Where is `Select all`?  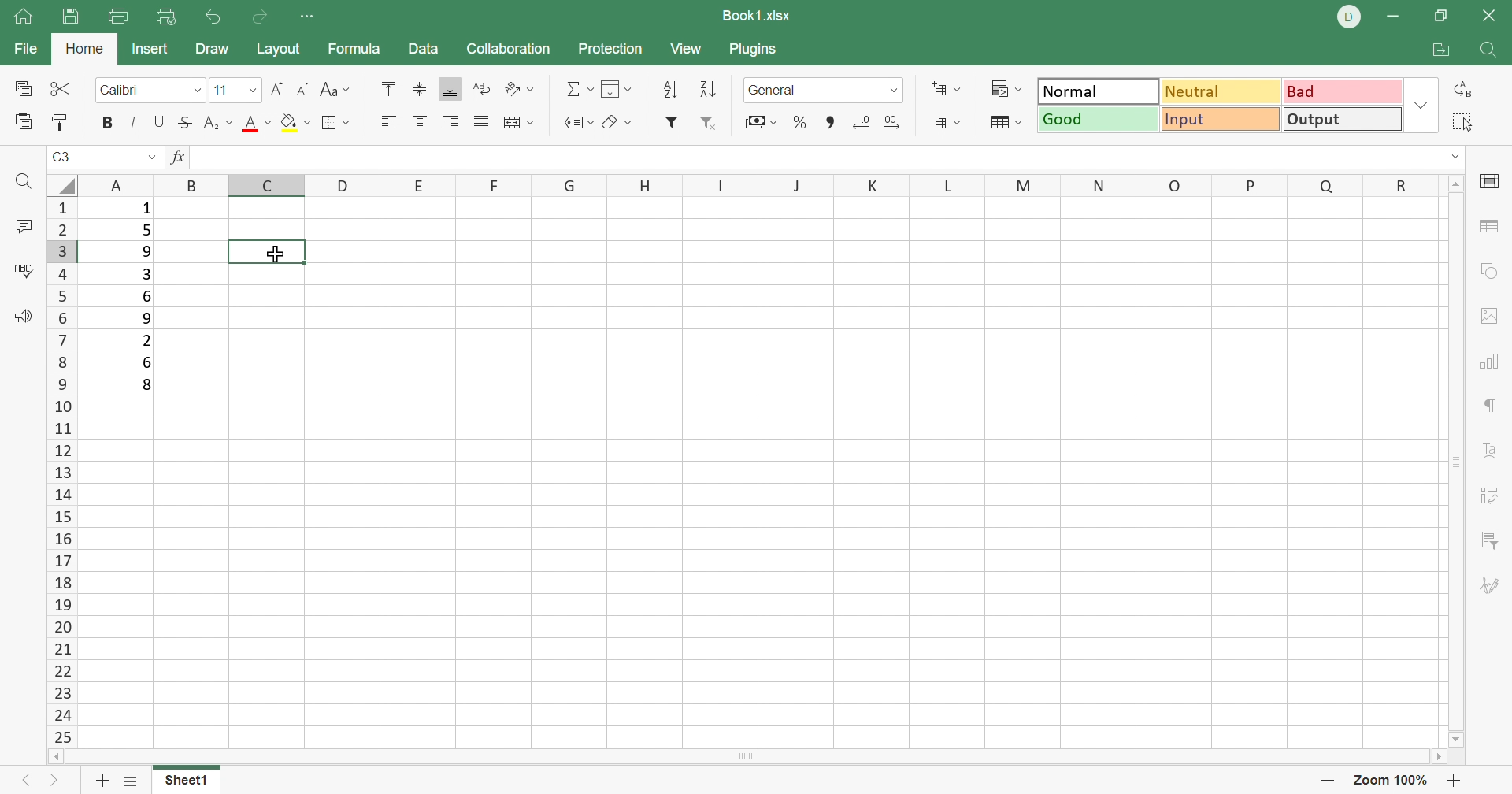 Select all is located at coordinates (1463, 124).